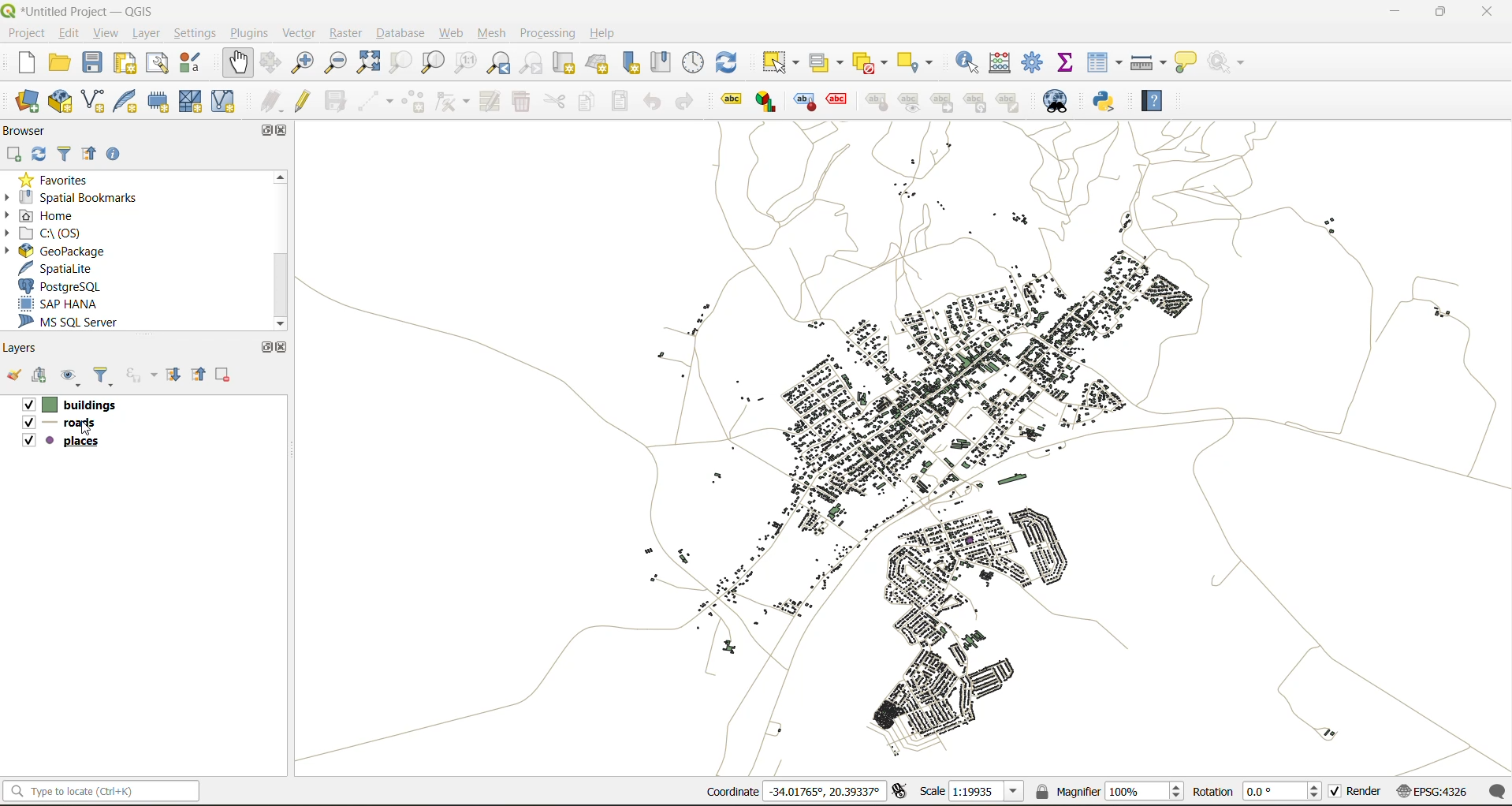 The width and height of the screenshot is (1512, 806). Describe the element at coordinates (335, 61) in the screenshot. I see `zoom out` at that location.